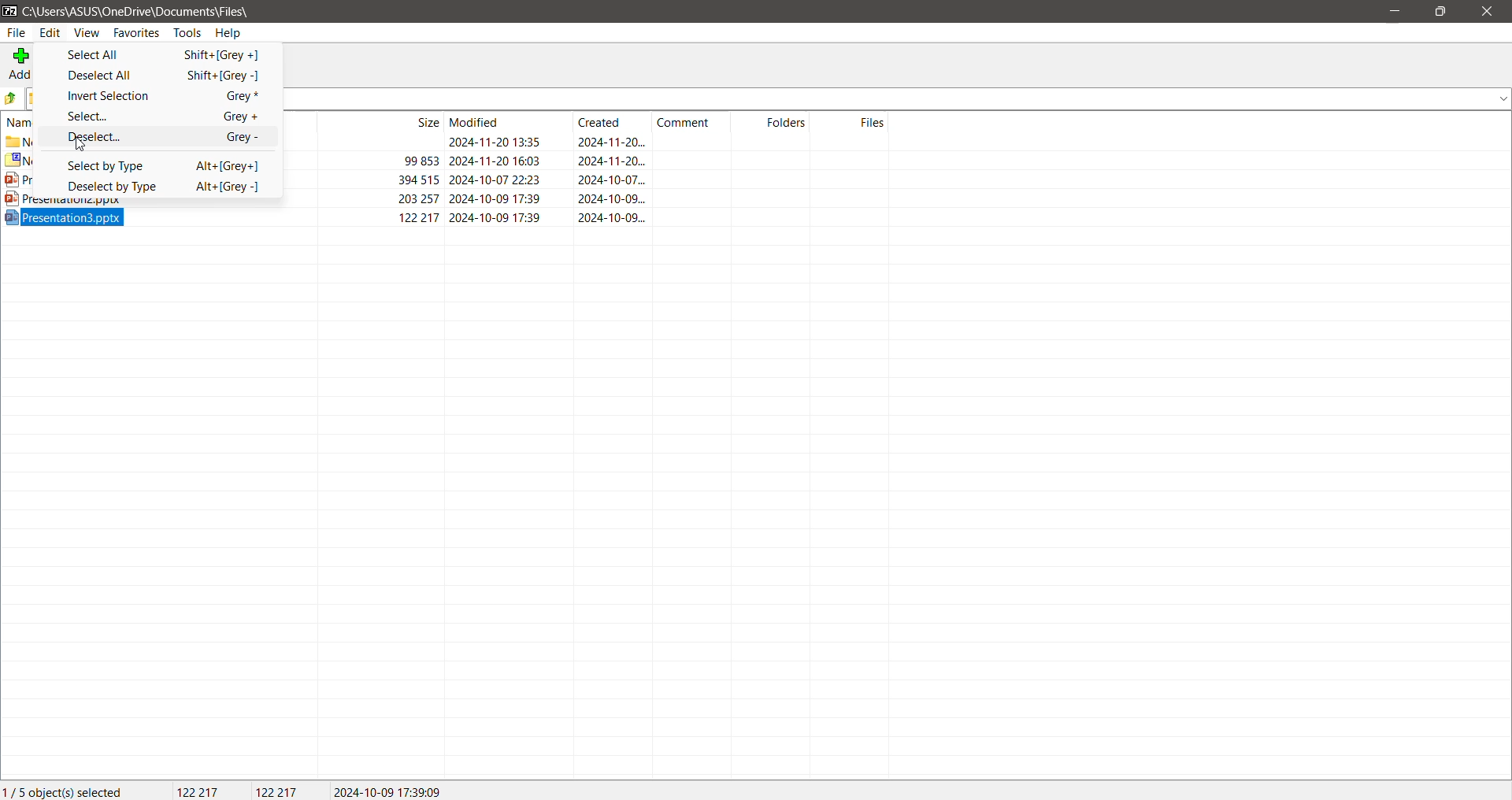 The height and width of the screenshot is (800, 1512). I want to click on Files Created Date, so click(613, 122).